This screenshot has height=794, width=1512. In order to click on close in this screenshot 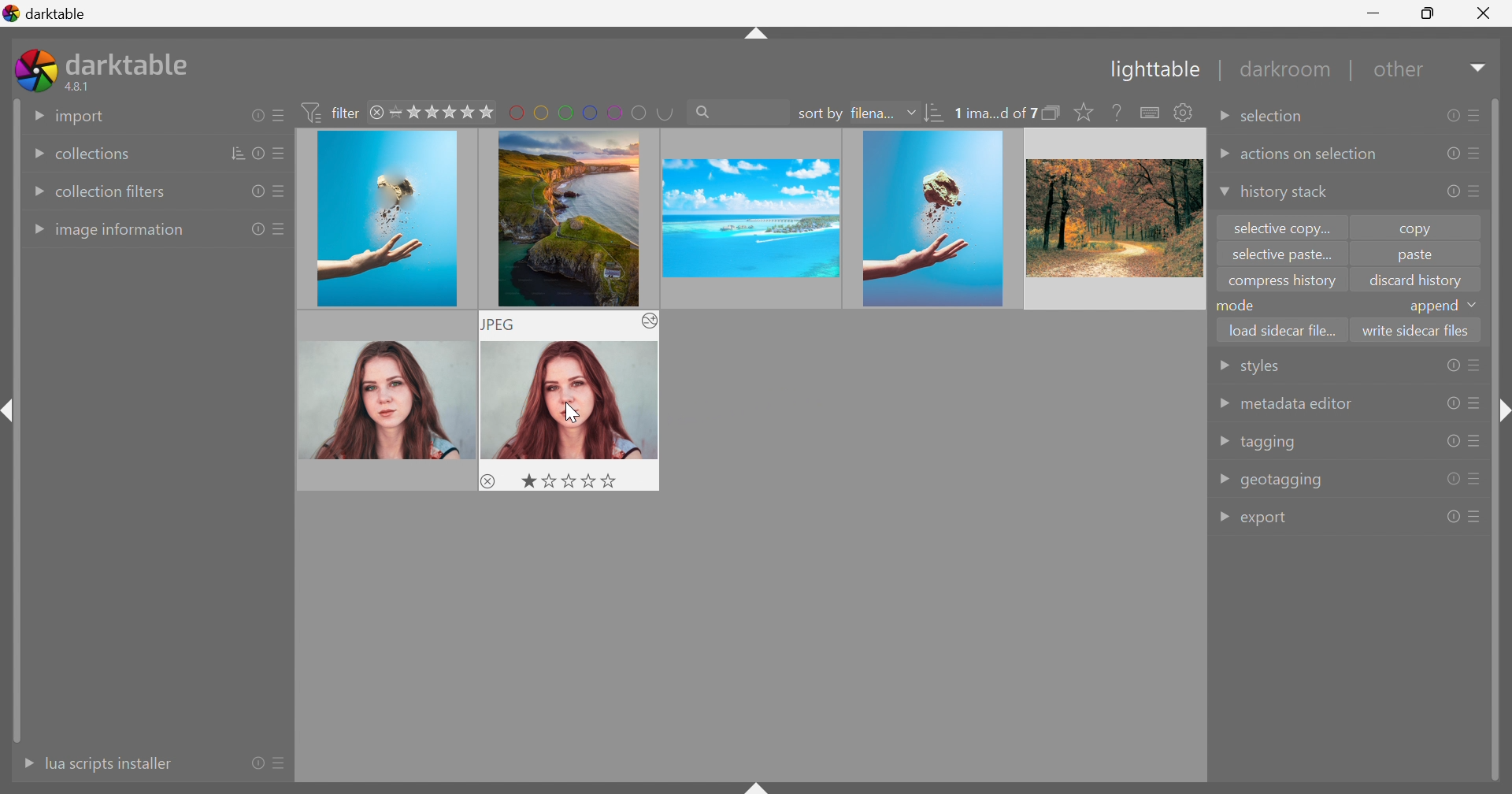, I will do `click(379, 114)`.